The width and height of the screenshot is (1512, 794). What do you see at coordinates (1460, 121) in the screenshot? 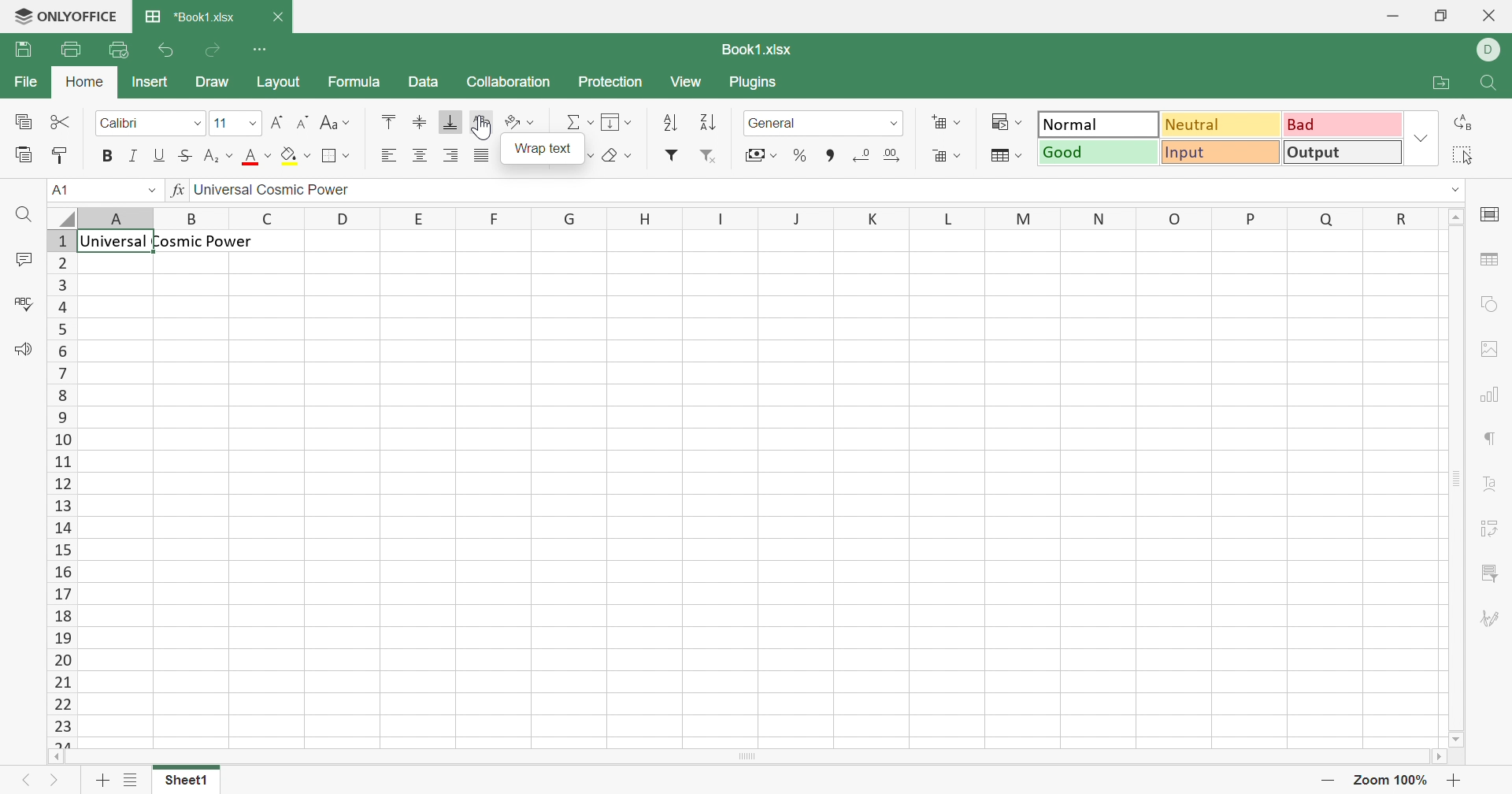
I see `Replace` at bounding box center [1460, 121].